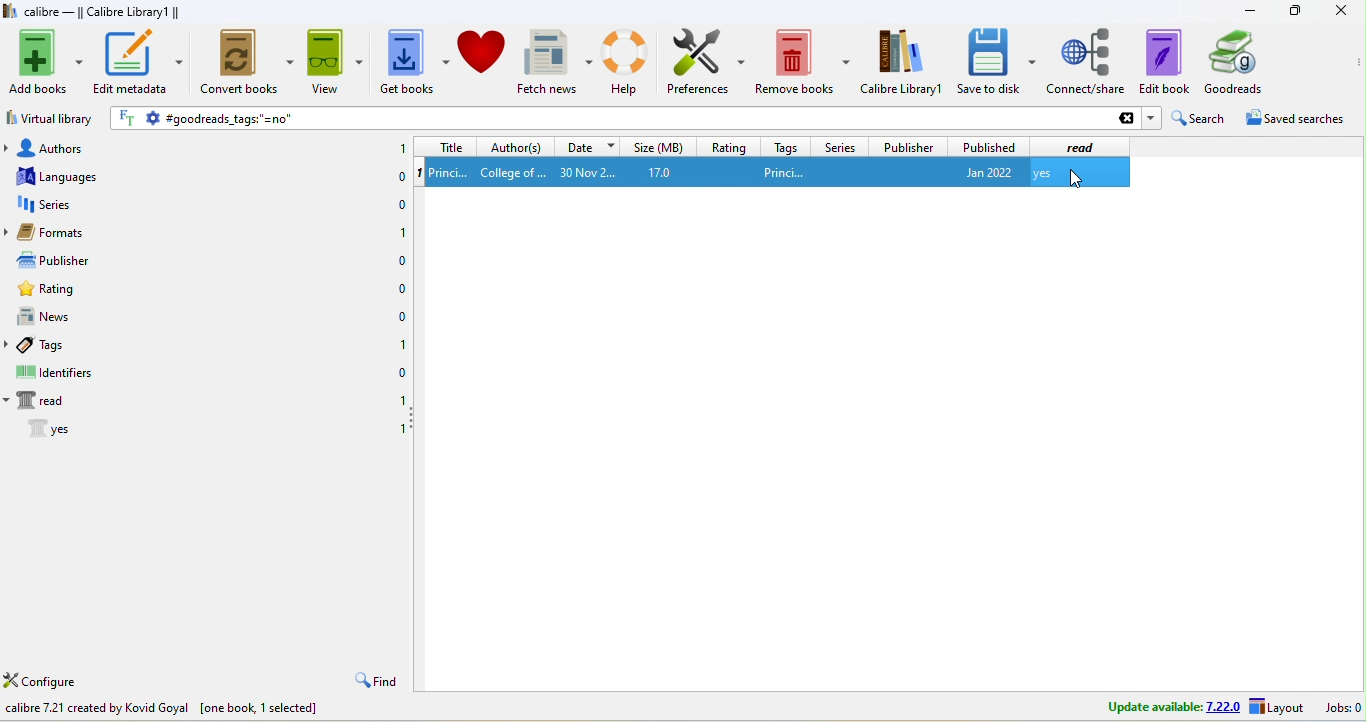  I want to click on college of, so click(514, 173).